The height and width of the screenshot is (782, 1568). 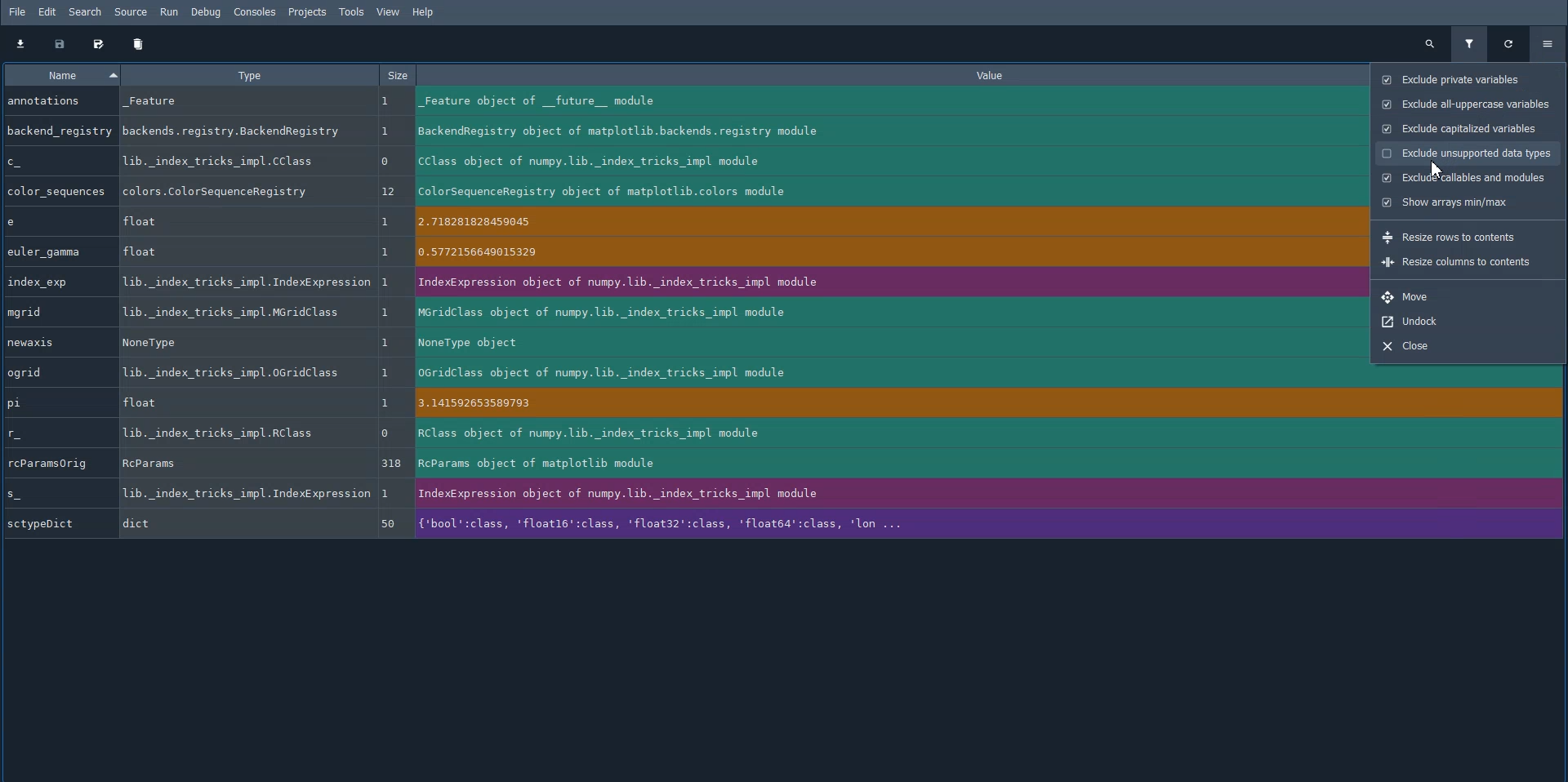 What do you see at coordinates (881, 254) in the screenshot?
I see `10.5772156649015329` at bounding box center [881, 254].